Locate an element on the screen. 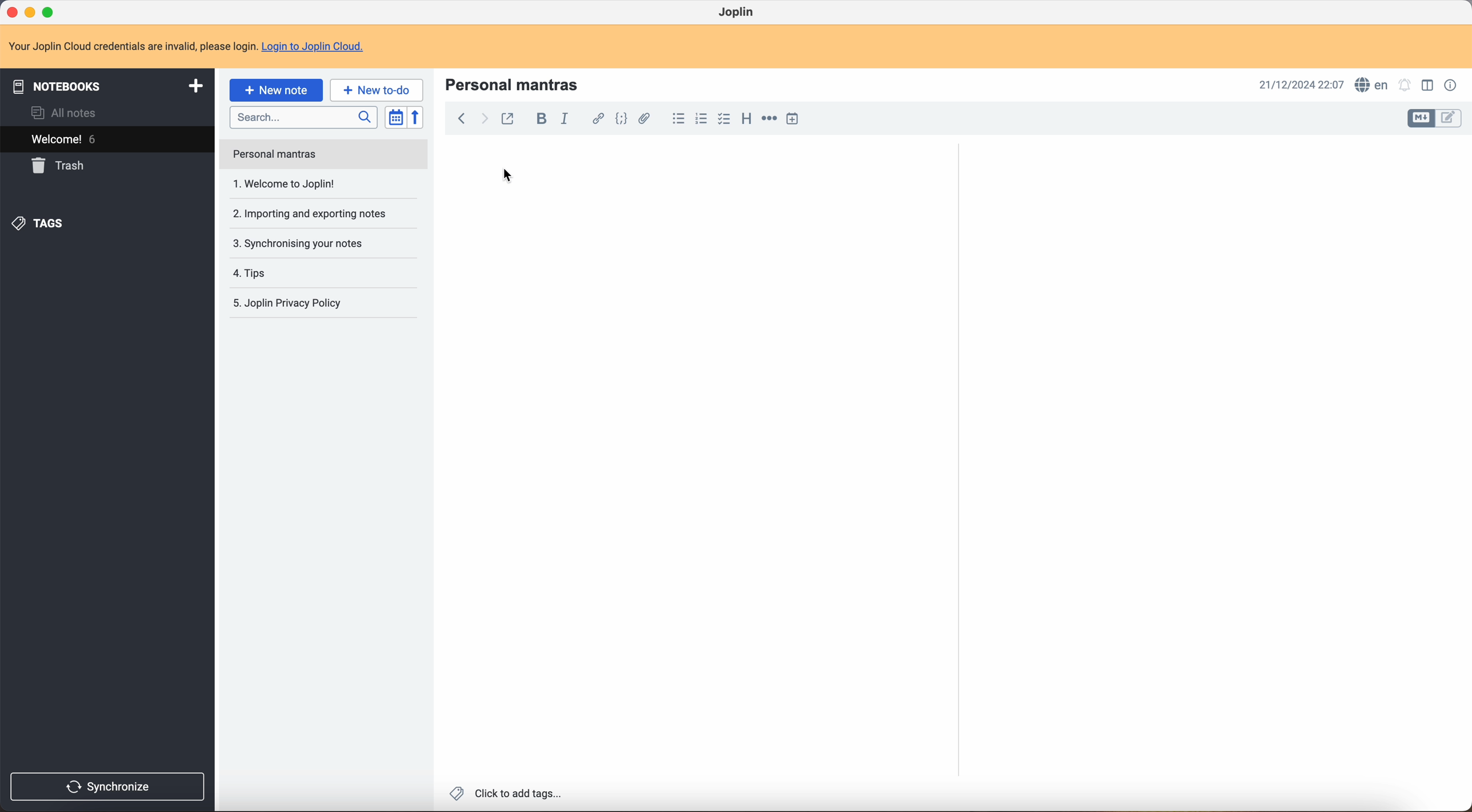 Image resolution: width=1472 pixels, height=812 pixels. tips is located at coordinates (294, 245).